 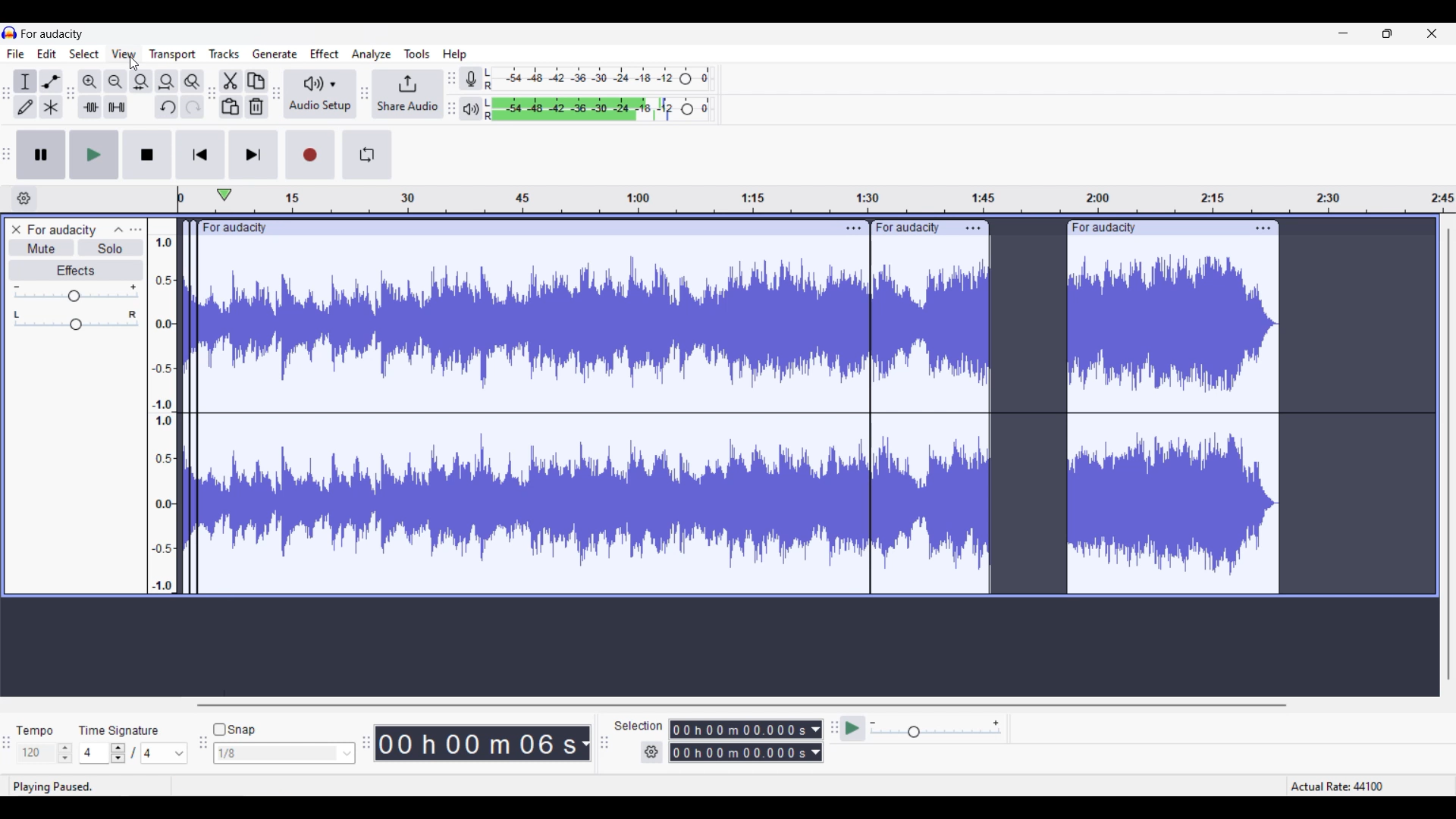 What do you see at coordinates (310, 155) in the screenshot?
I see `Record/Record new track` at bounding box center [310, 155].